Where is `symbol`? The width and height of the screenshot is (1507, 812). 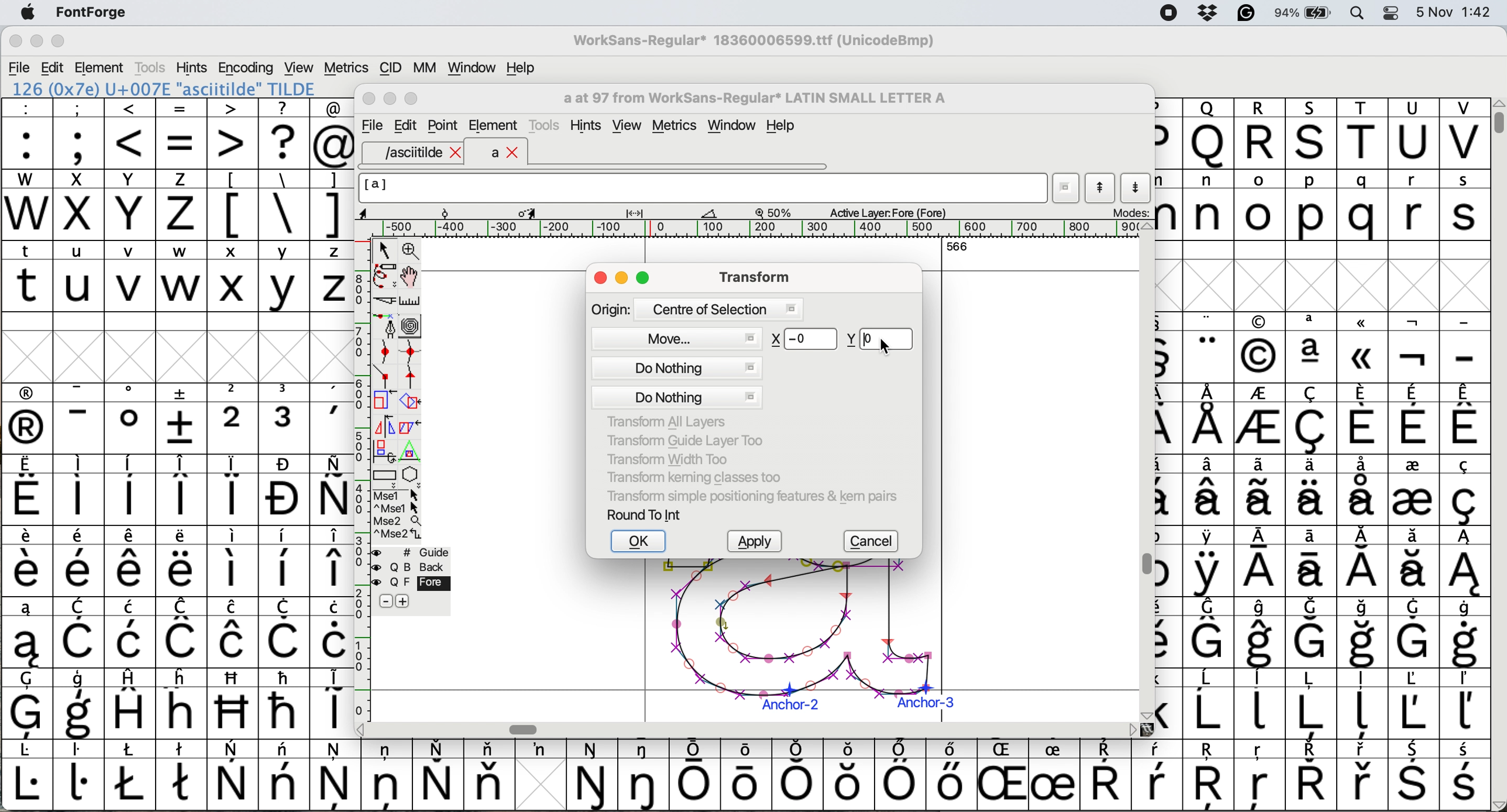 symbol is located at coordinates (438, 775).